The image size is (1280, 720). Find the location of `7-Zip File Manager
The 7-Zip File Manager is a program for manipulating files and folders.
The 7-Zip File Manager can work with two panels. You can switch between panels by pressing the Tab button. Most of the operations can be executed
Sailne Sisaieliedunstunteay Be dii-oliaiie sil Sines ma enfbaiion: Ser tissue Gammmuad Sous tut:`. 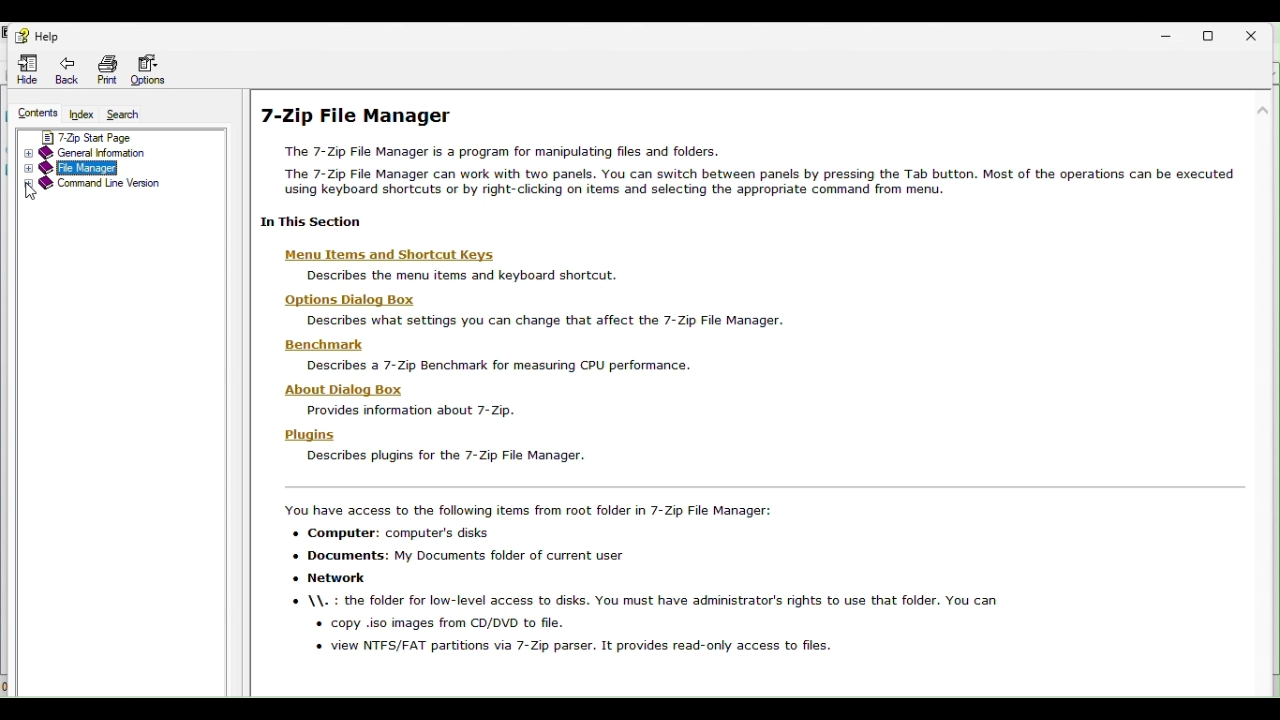

7-Zip File Manager
The 7-Zip File Manager is a program for manipulating files and folders.
The 7-Zip File Manager can work with two panels. You can switch between panels by pressing the Tab button. Most of the operations can be executed
Sailne Sisaieliedunstunteay Be dii-oliaiie sil Sines ma enfbaiion: Ser tissue Gammmuad Sous tut: is located at coordinates (747, 150).